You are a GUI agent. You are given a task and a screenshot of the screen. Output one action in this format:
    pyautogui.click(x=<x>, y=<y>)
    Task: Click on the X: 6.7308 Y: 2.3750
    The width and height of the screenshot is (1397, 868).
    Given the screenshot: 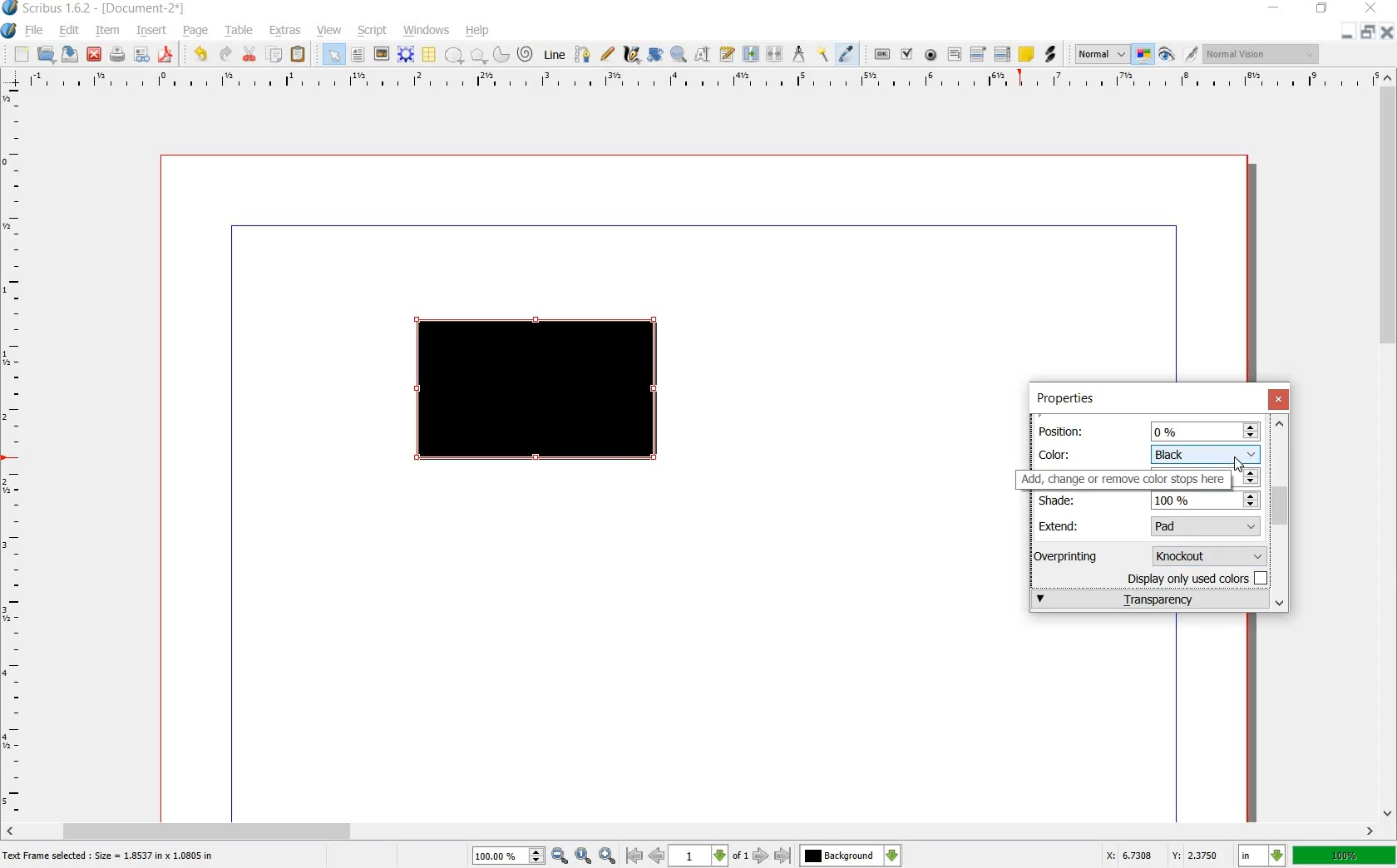 What is the action you would take?
    pyautogui.click(x=1162, y=855)
    